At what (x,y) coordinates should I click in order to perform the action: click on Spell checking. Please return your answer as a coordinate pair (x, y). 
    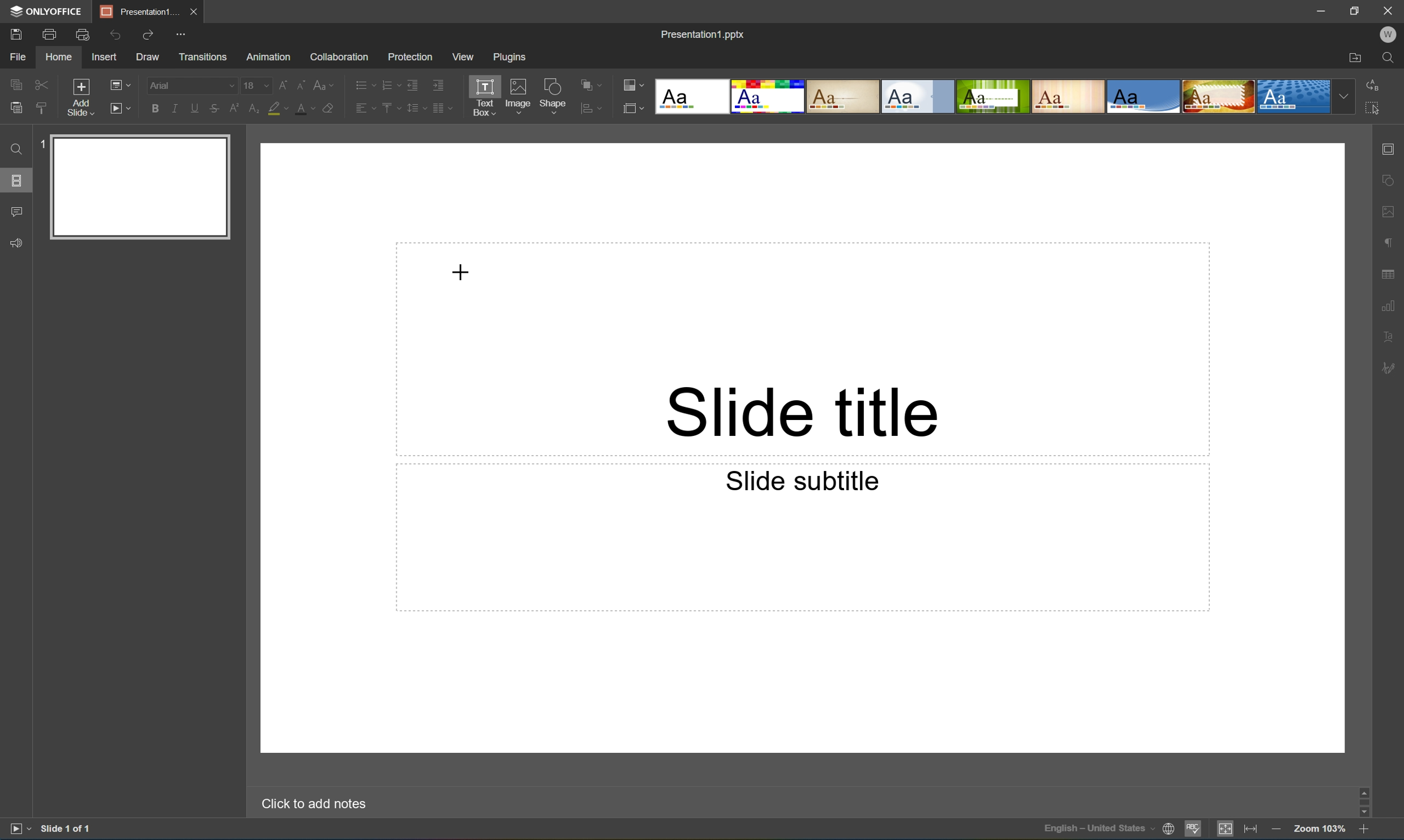
    Looking at the image, I should click on (1193, 830).